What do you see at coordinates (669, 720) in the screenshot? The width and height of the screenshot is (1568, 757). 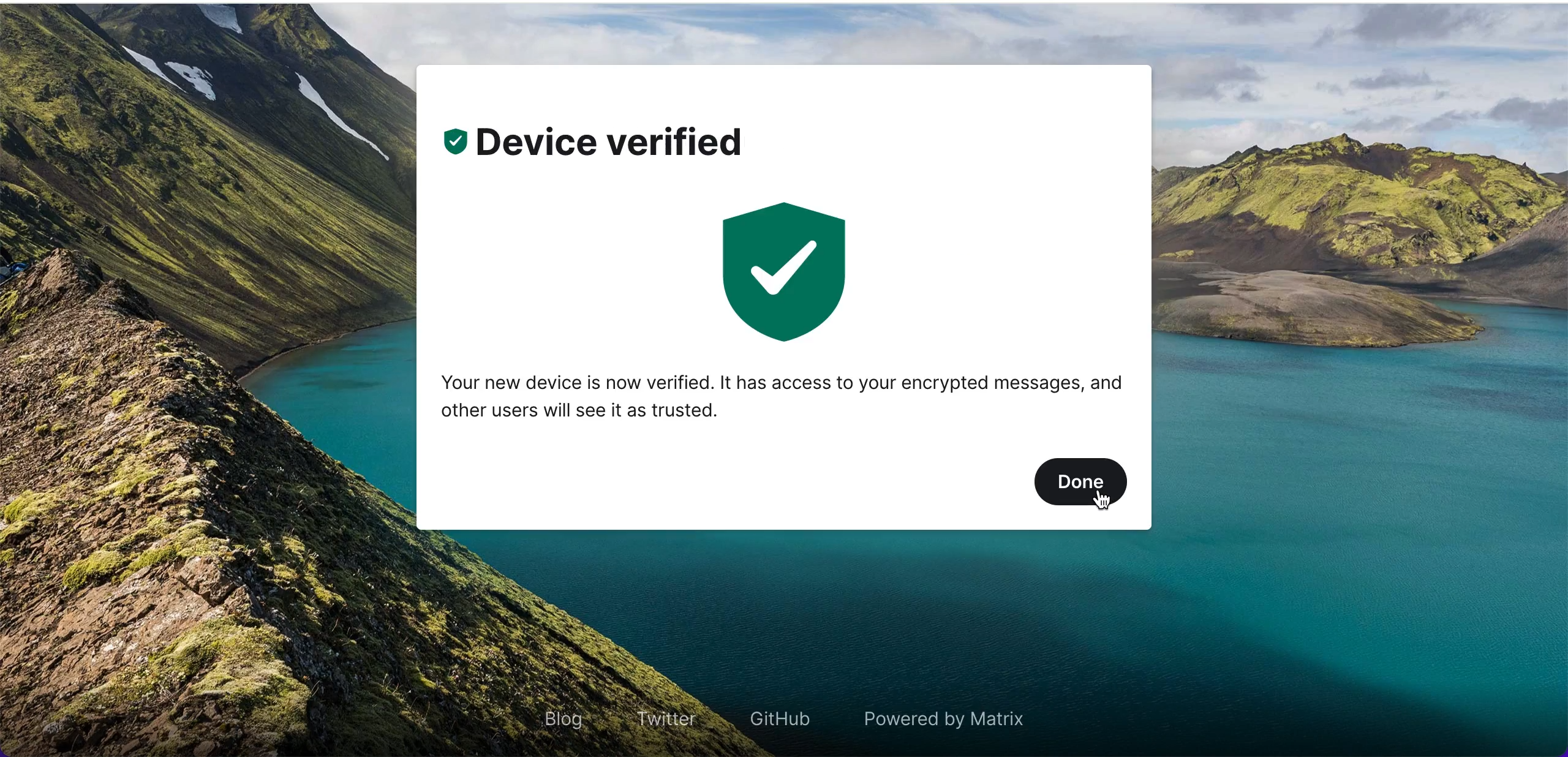 I see `twitter` at bounding box center [669, 720].